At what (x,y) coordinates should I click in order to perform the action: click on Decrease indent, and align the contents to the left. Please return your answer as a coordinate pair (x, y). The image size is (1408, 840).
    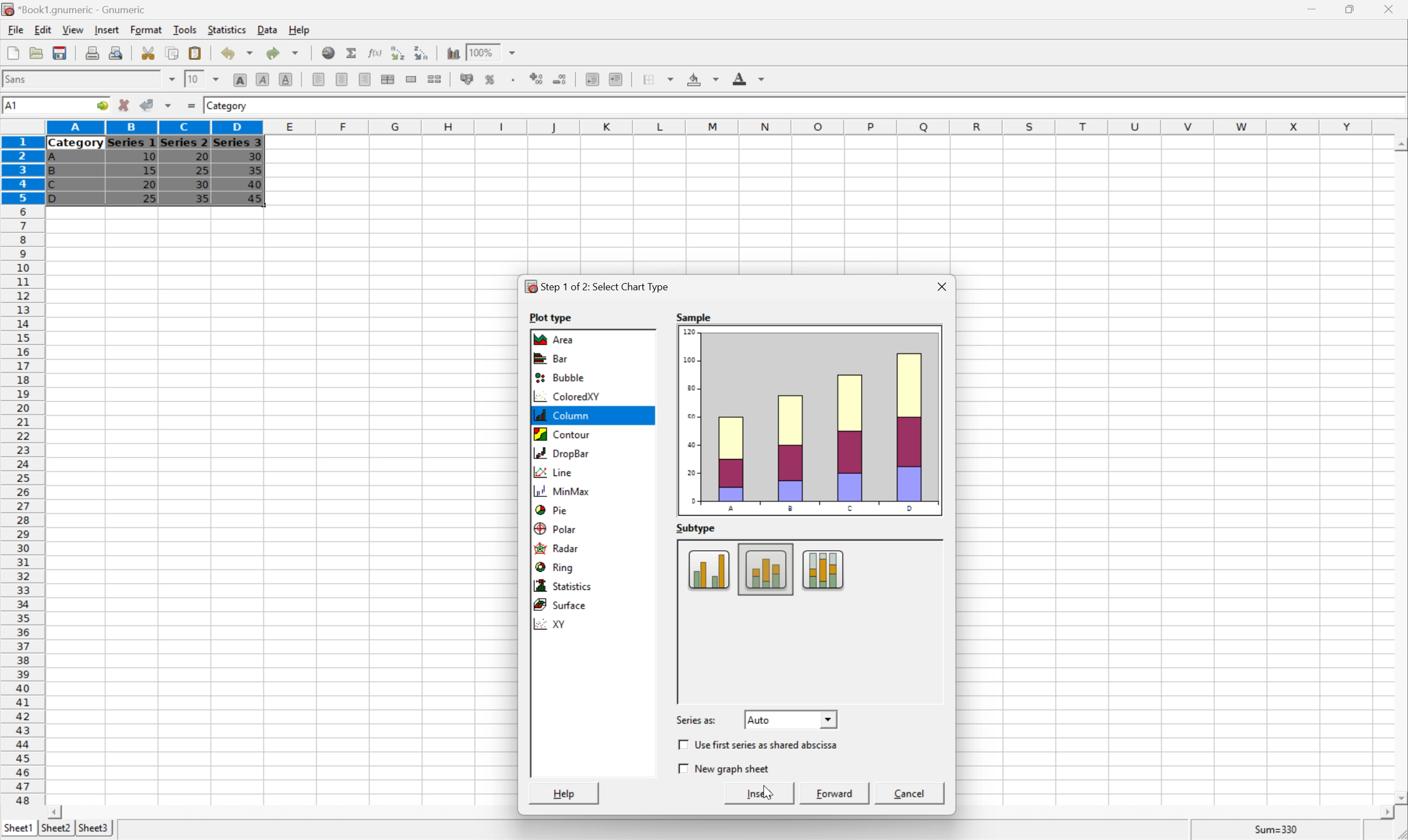
    Looking at the image, I should click on (592, 79).